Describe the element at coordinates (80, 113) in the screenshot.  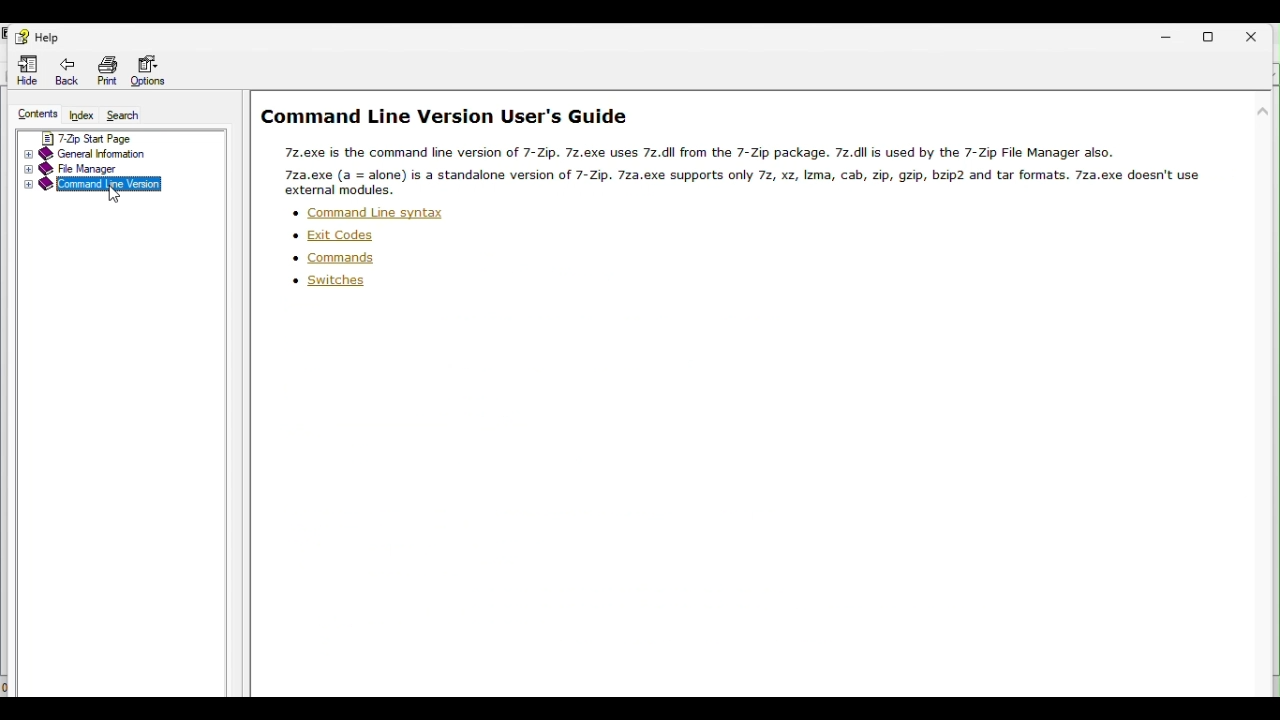
I see `Index` at that location.